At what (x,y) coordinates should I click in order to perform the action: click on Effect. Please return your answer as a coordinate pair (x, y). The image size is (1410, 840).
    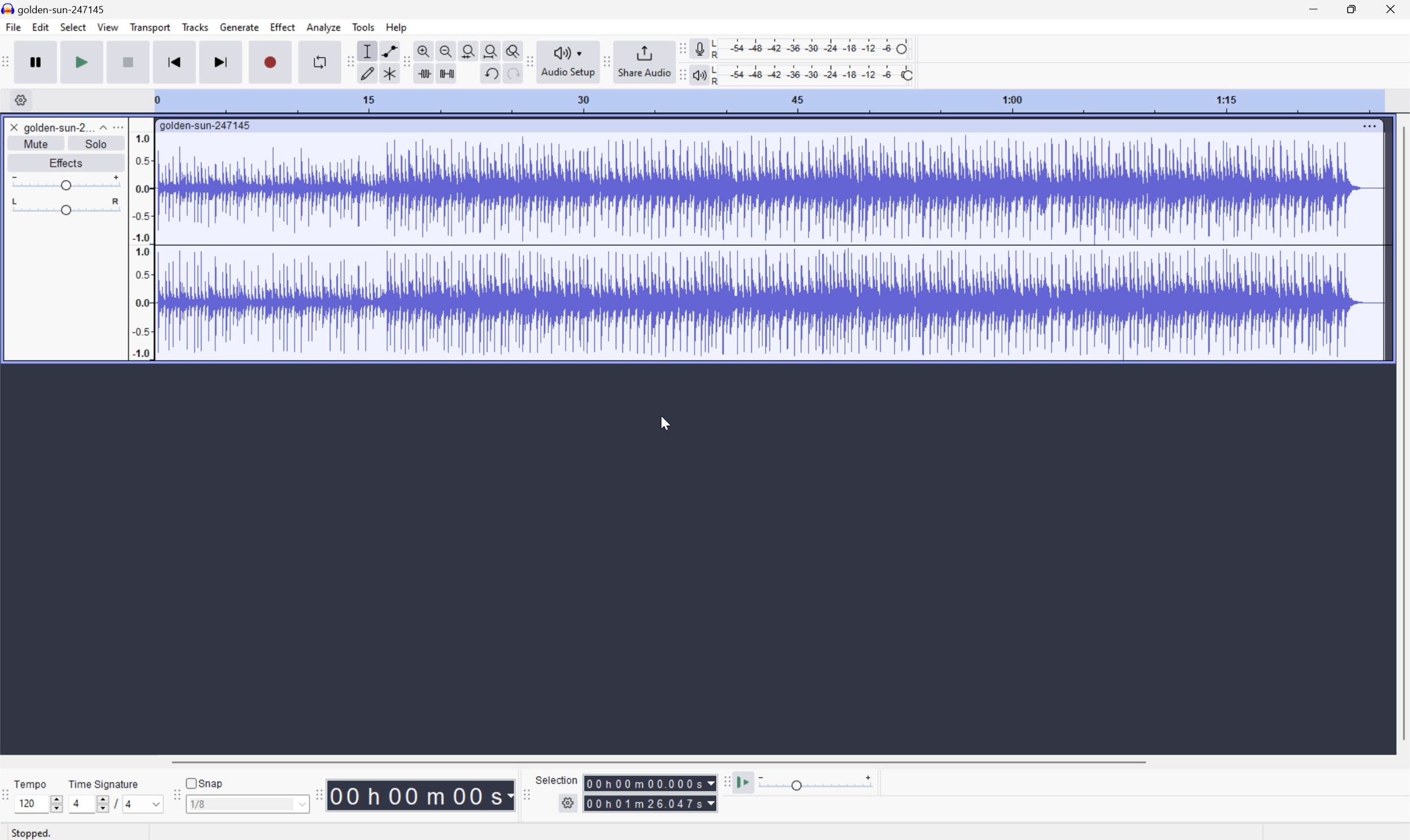
    Looking at the image, I should click on (283, 27).